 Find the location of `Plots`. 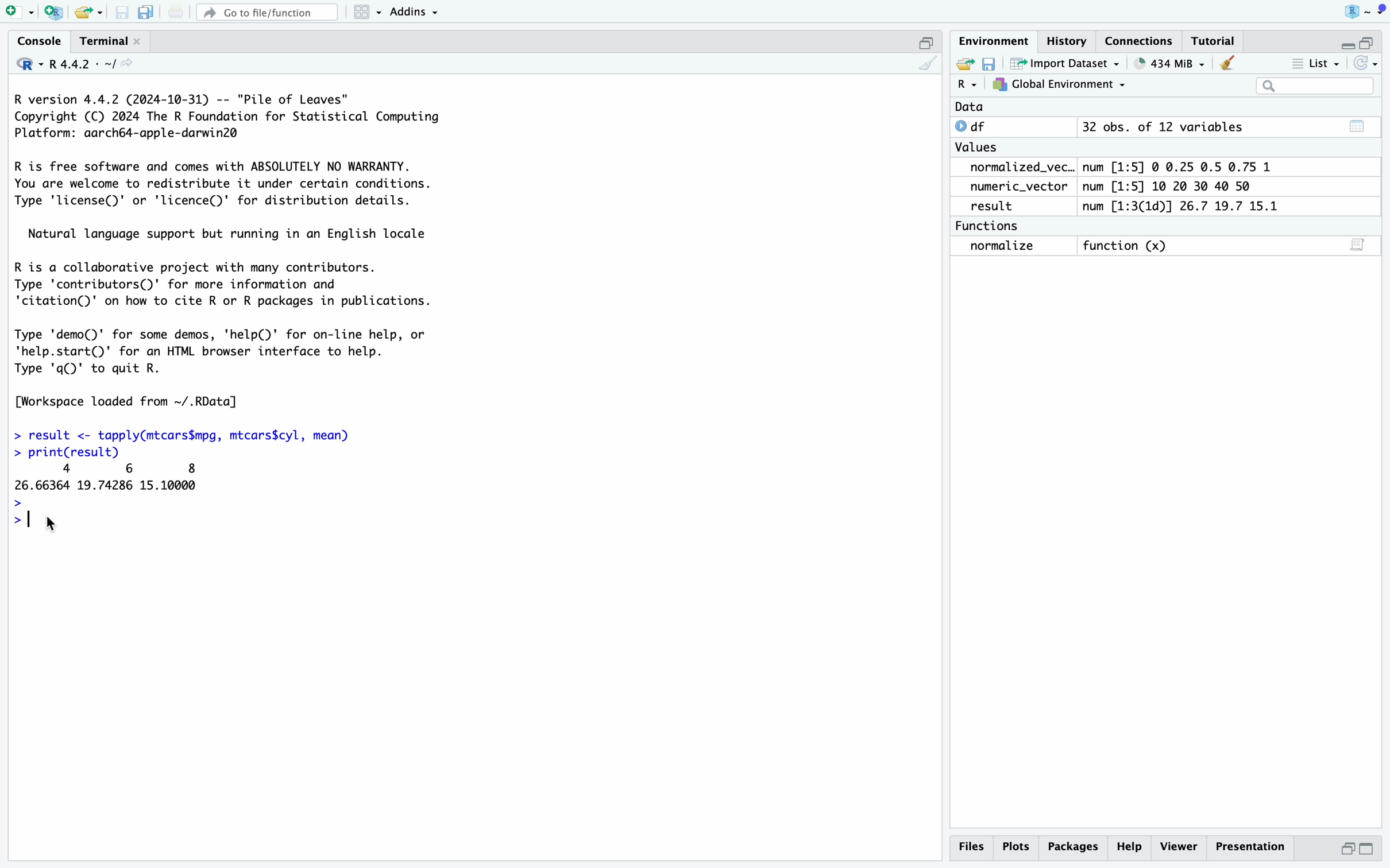

Plots is located at coordinates (1016, 847).